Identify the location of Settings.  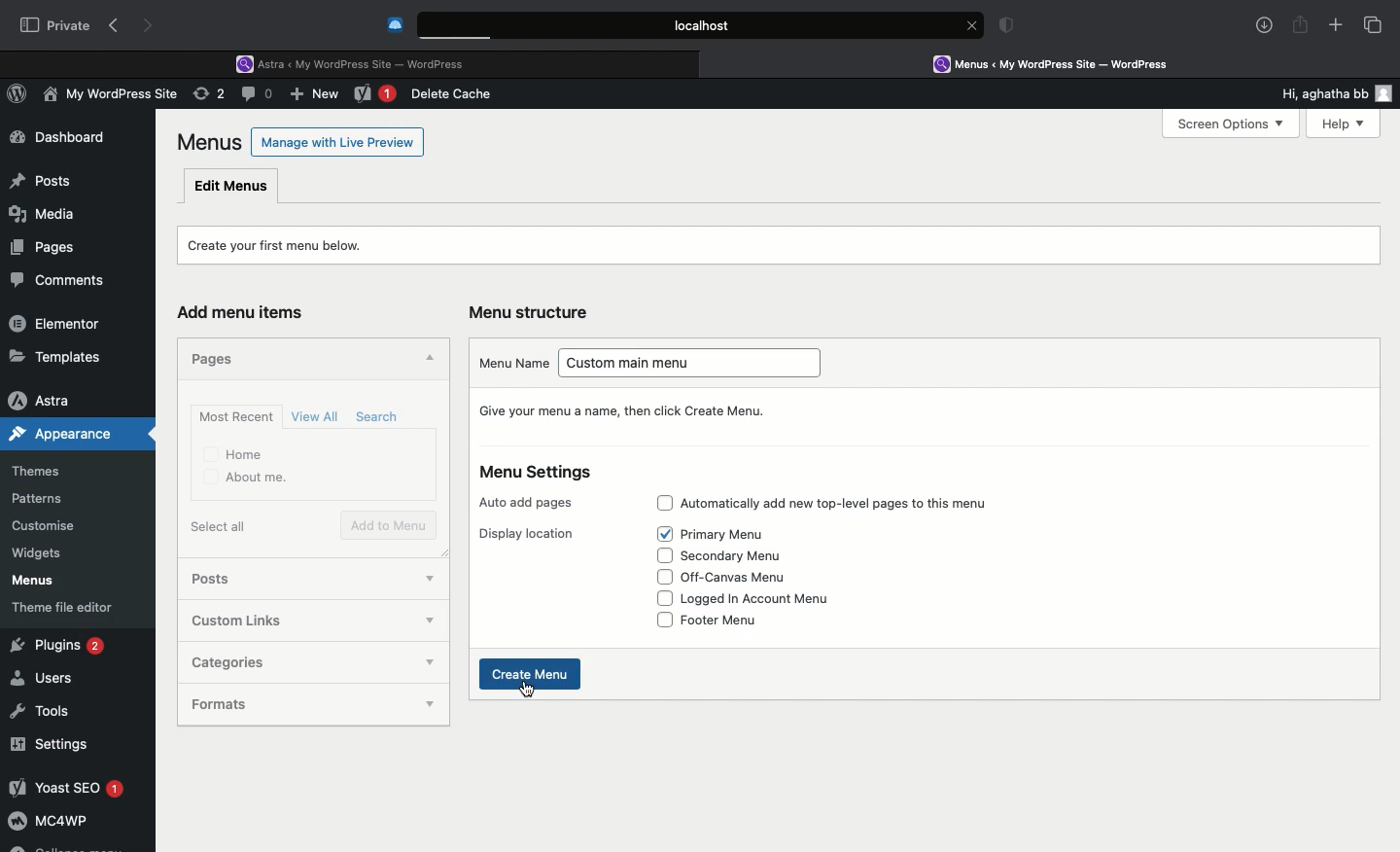
(51, 744).